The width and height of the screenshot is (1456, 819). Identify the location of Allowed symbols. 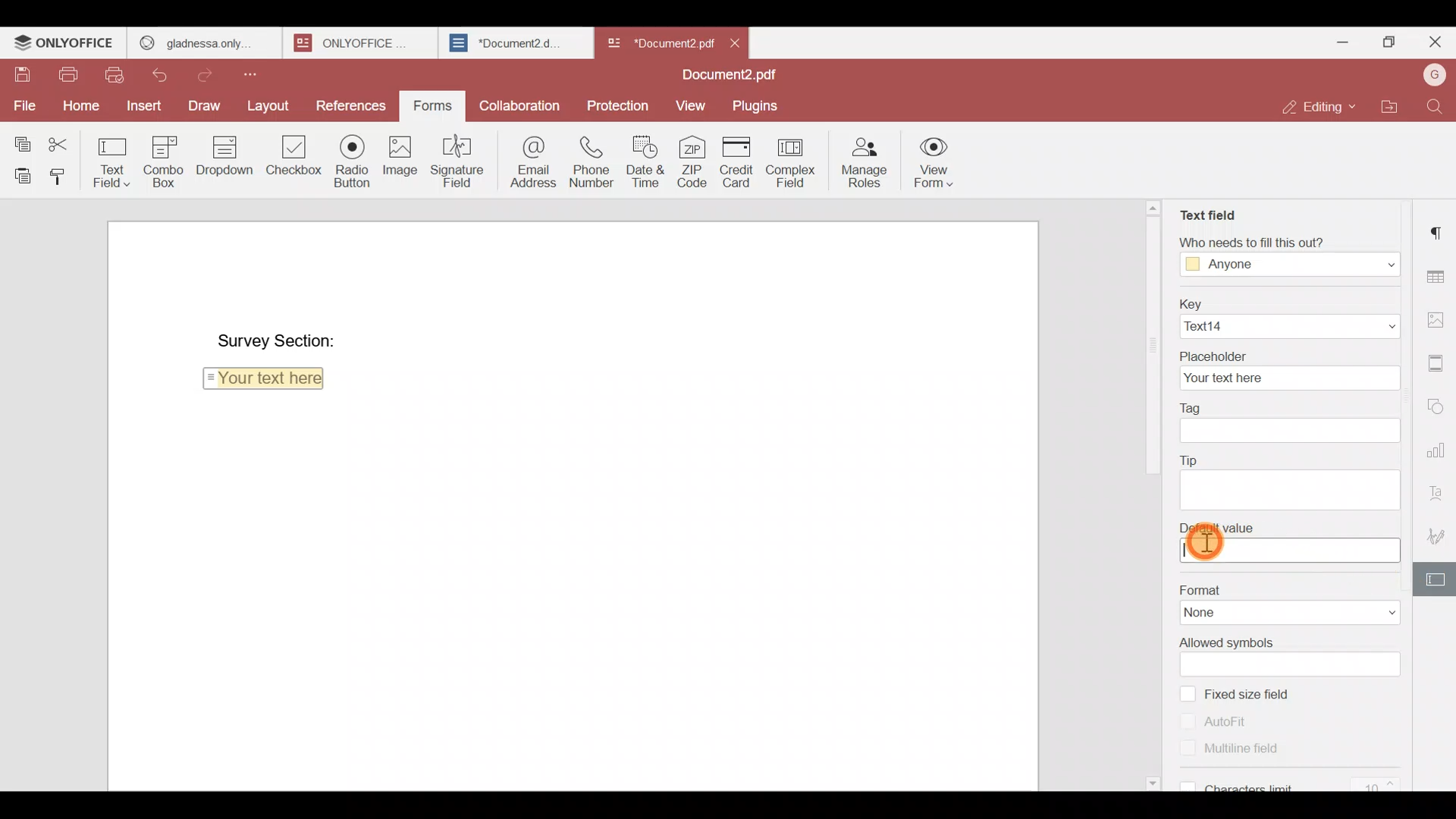
(1292, 641).